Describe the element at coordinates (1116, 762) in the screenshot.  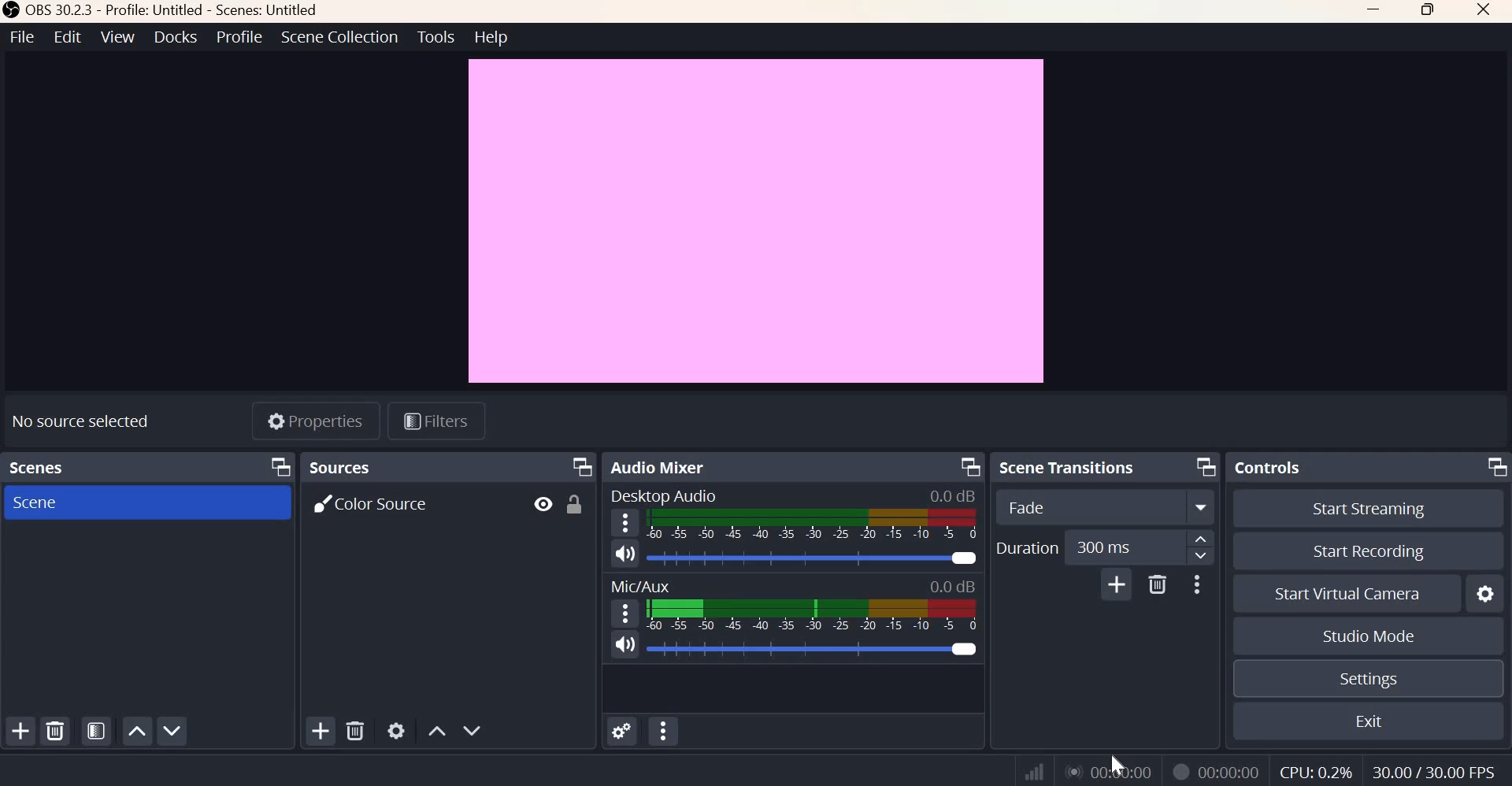
I see `cursor` at that location.